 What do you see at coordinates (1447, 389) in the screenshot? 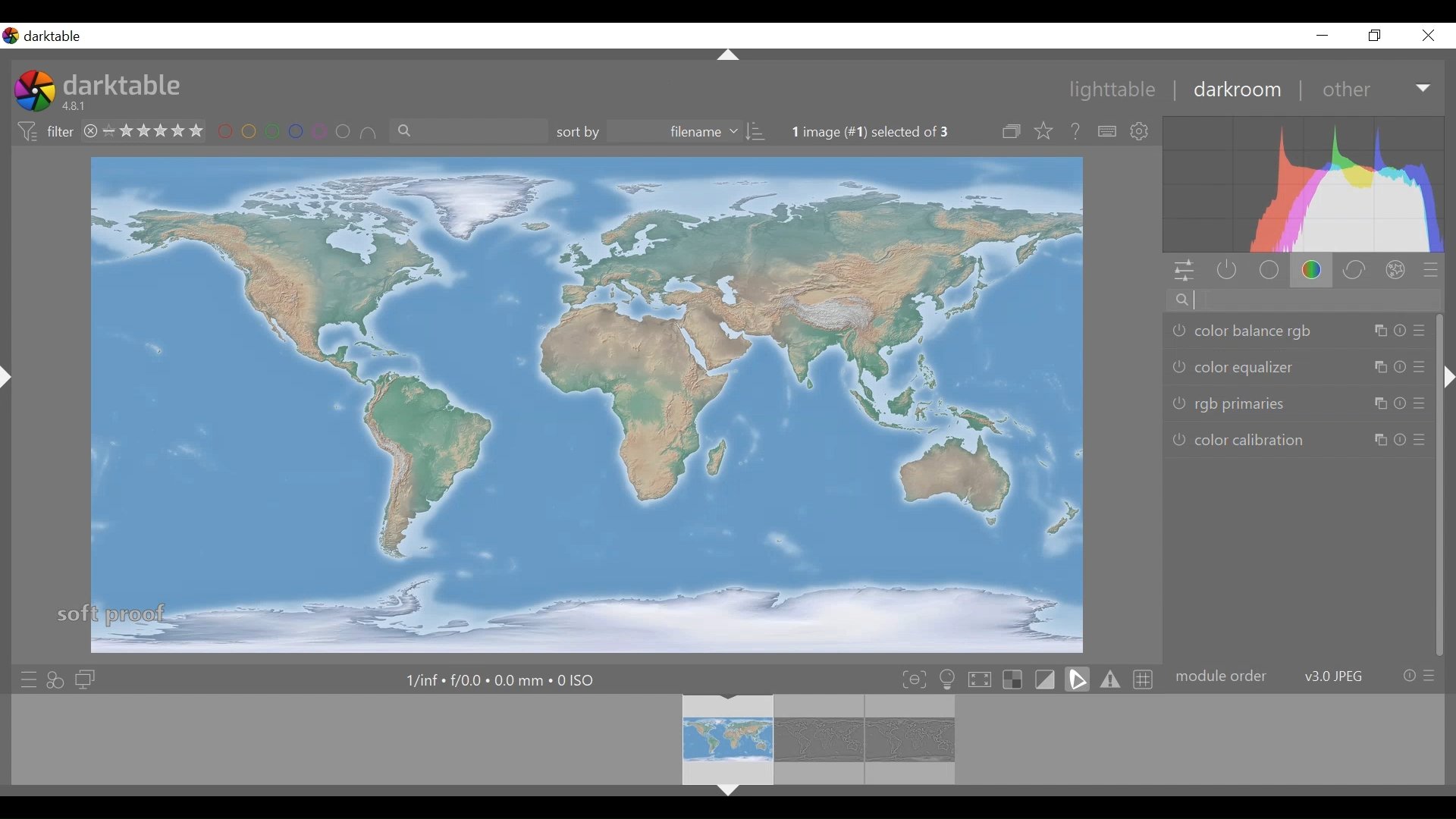
I see `` at bounding box center [1447, 389].